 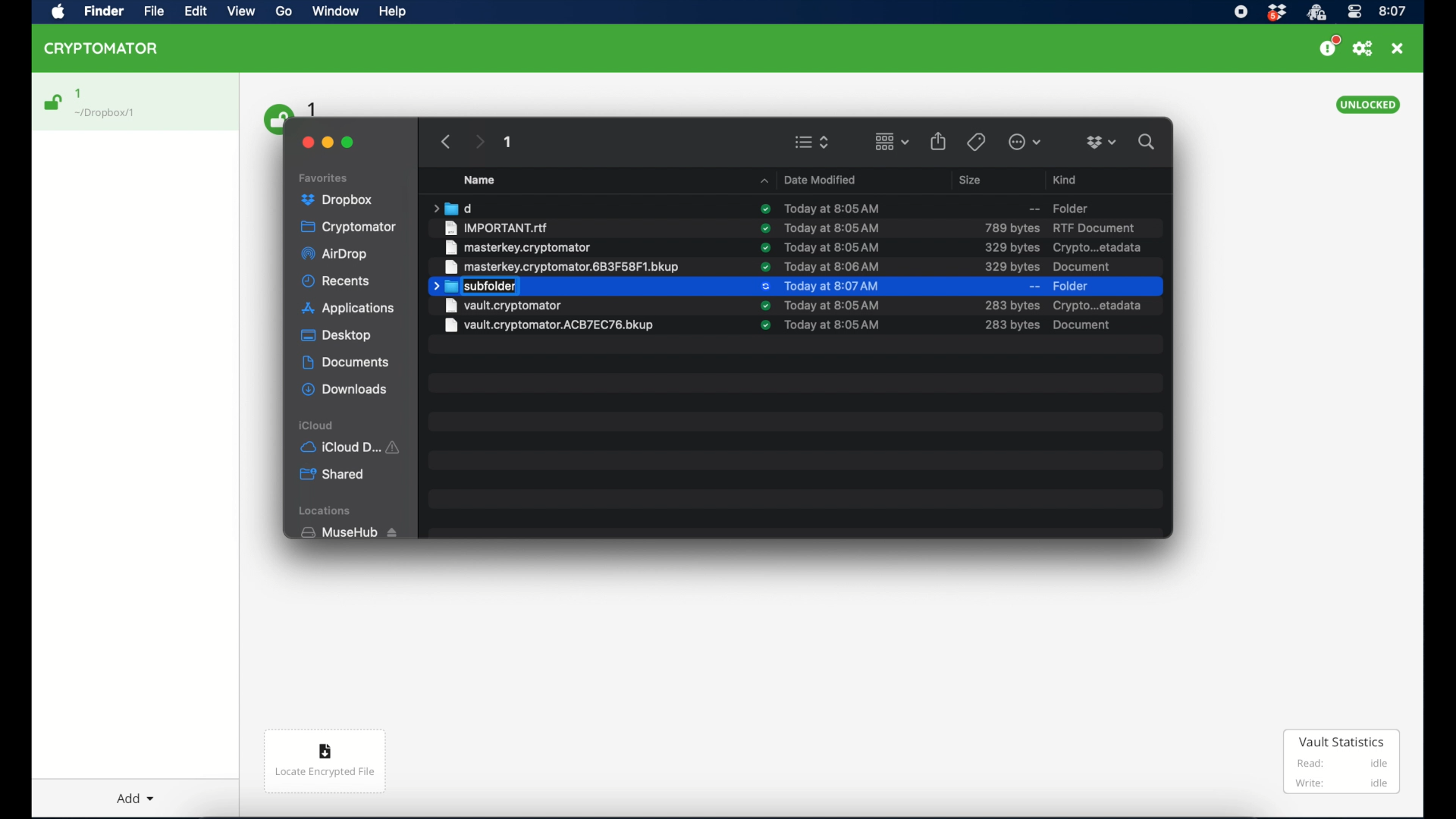 I want to click on share, so click(x=939, y=140).